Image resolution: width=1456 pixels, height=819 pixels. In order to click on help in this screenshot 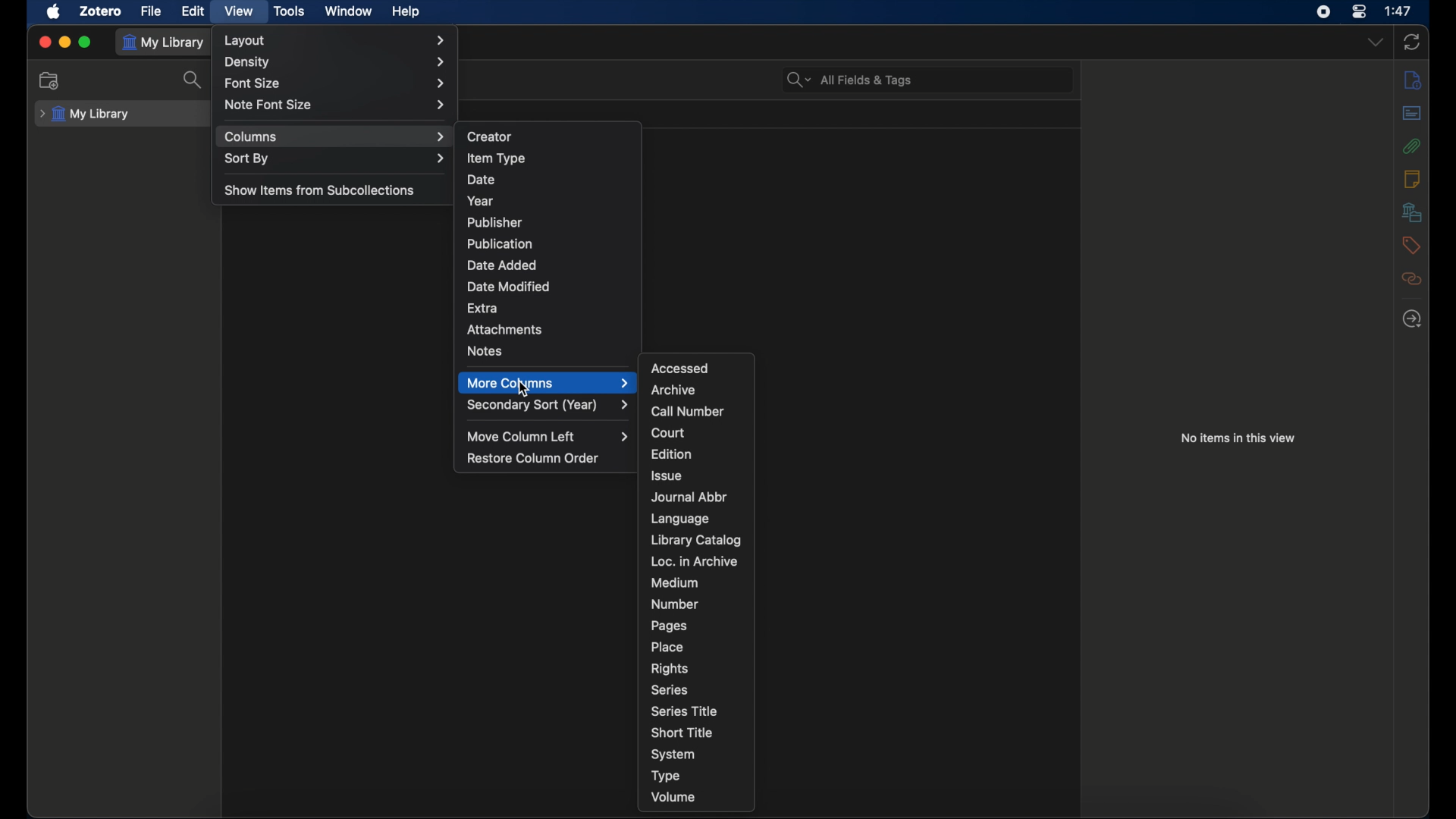, I will do `click(405, 12)`.